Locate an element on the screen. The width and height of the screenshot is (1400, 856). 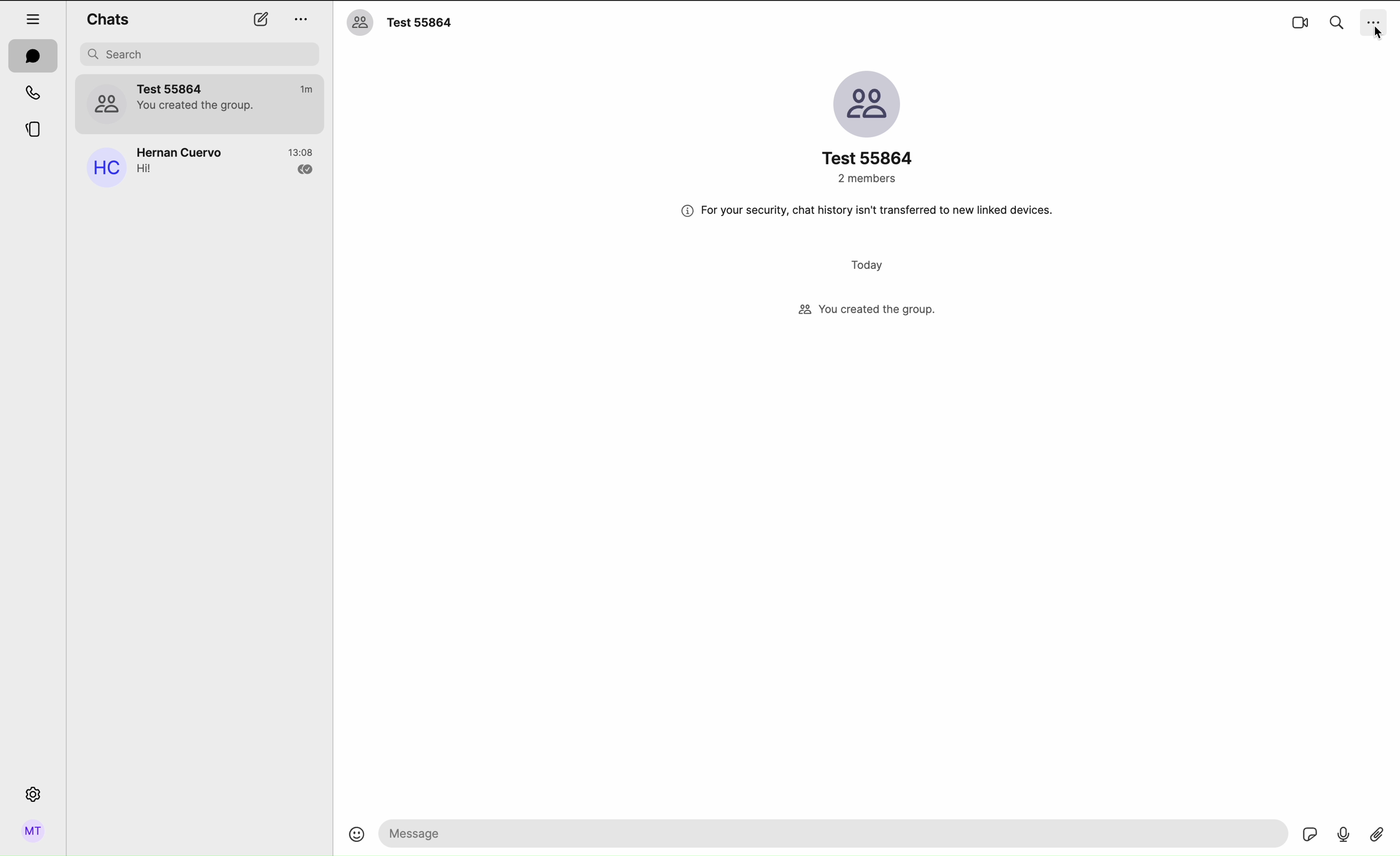
created a group is located at coordinates (866, 311).